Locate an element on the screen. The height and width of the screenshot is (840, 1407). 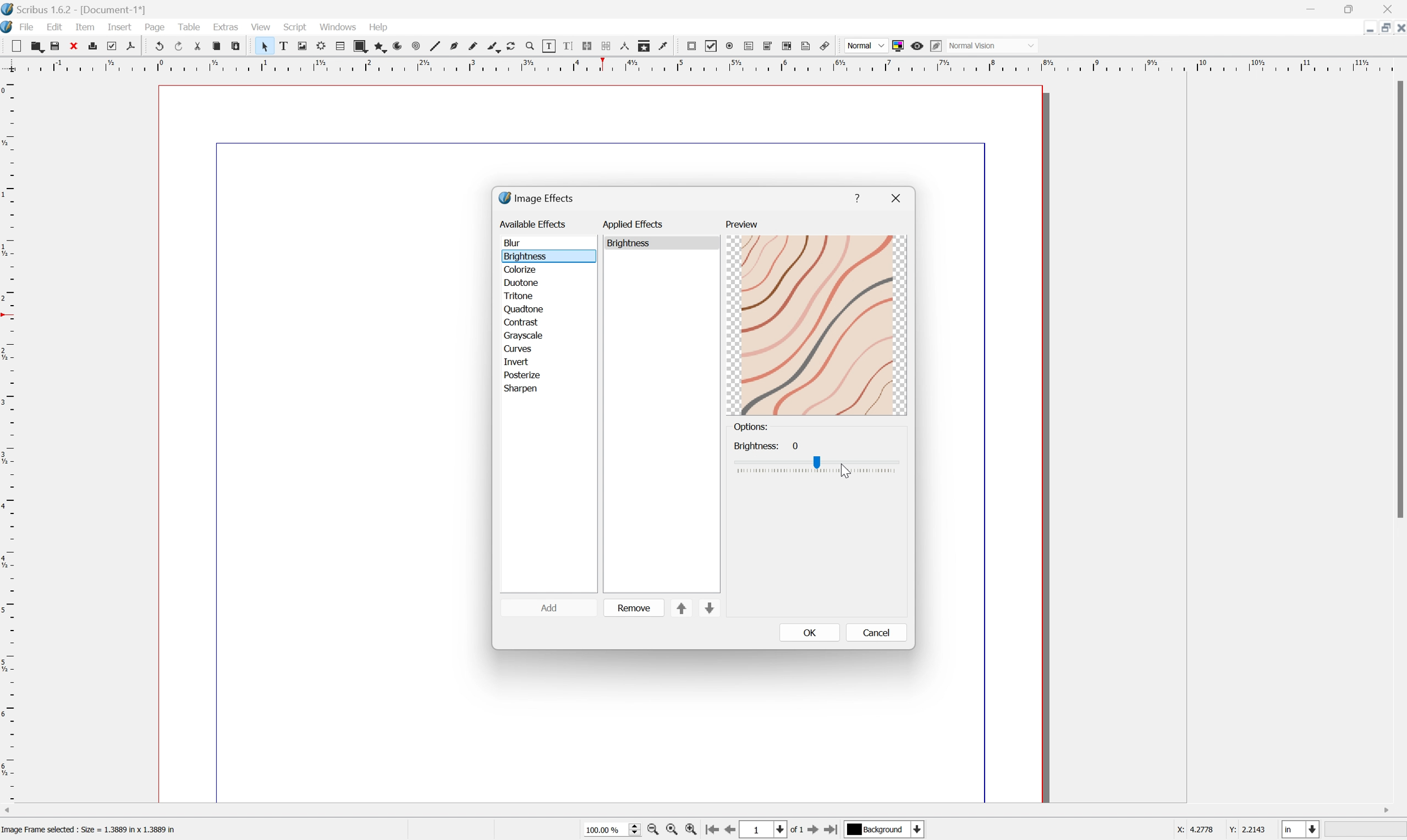
OK is located at coordinates (809, 632).